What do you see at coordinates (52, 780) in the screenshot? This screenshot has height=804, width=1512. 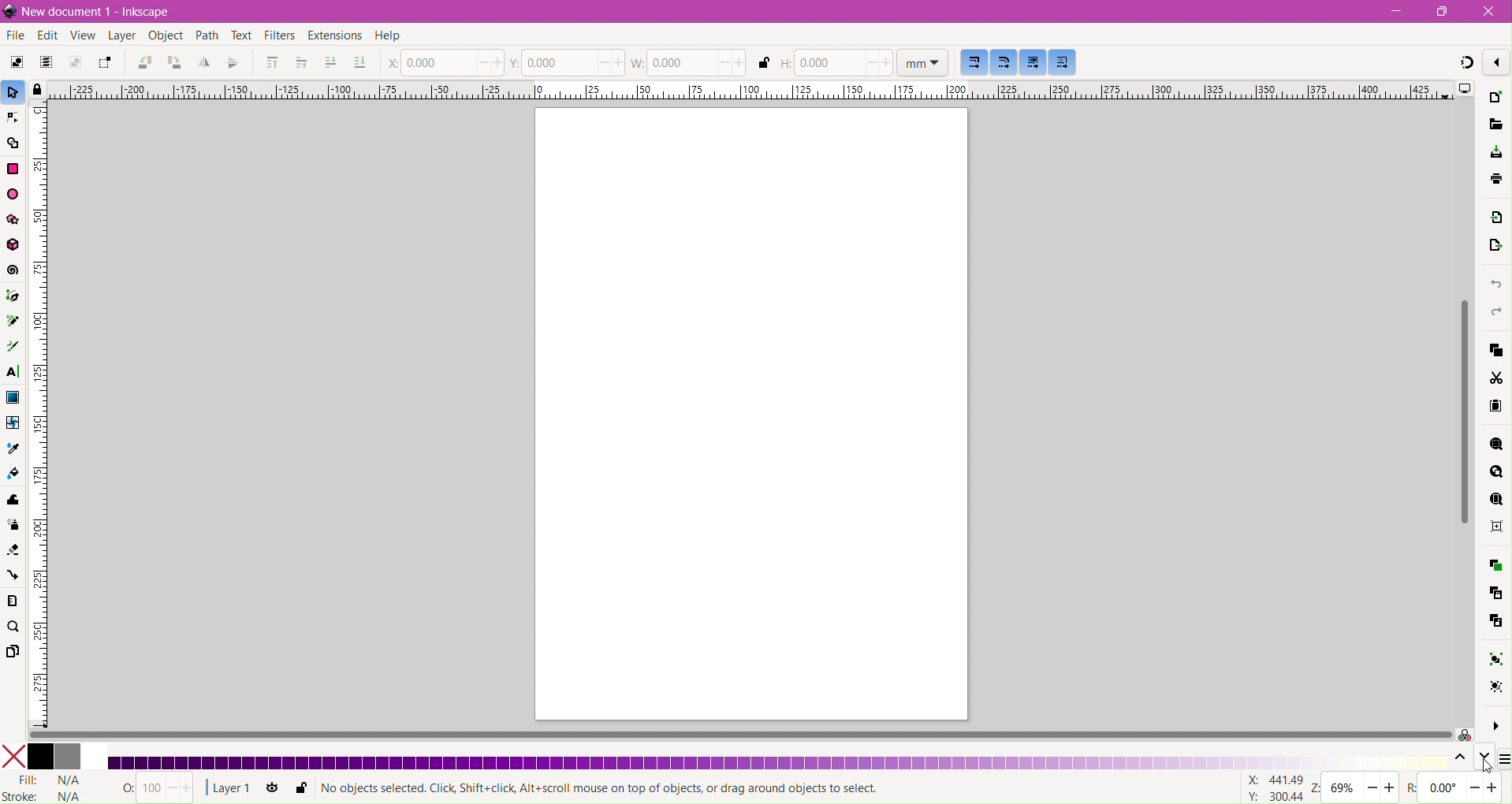 I see `Fill Status` at bounding box center [52, 780].